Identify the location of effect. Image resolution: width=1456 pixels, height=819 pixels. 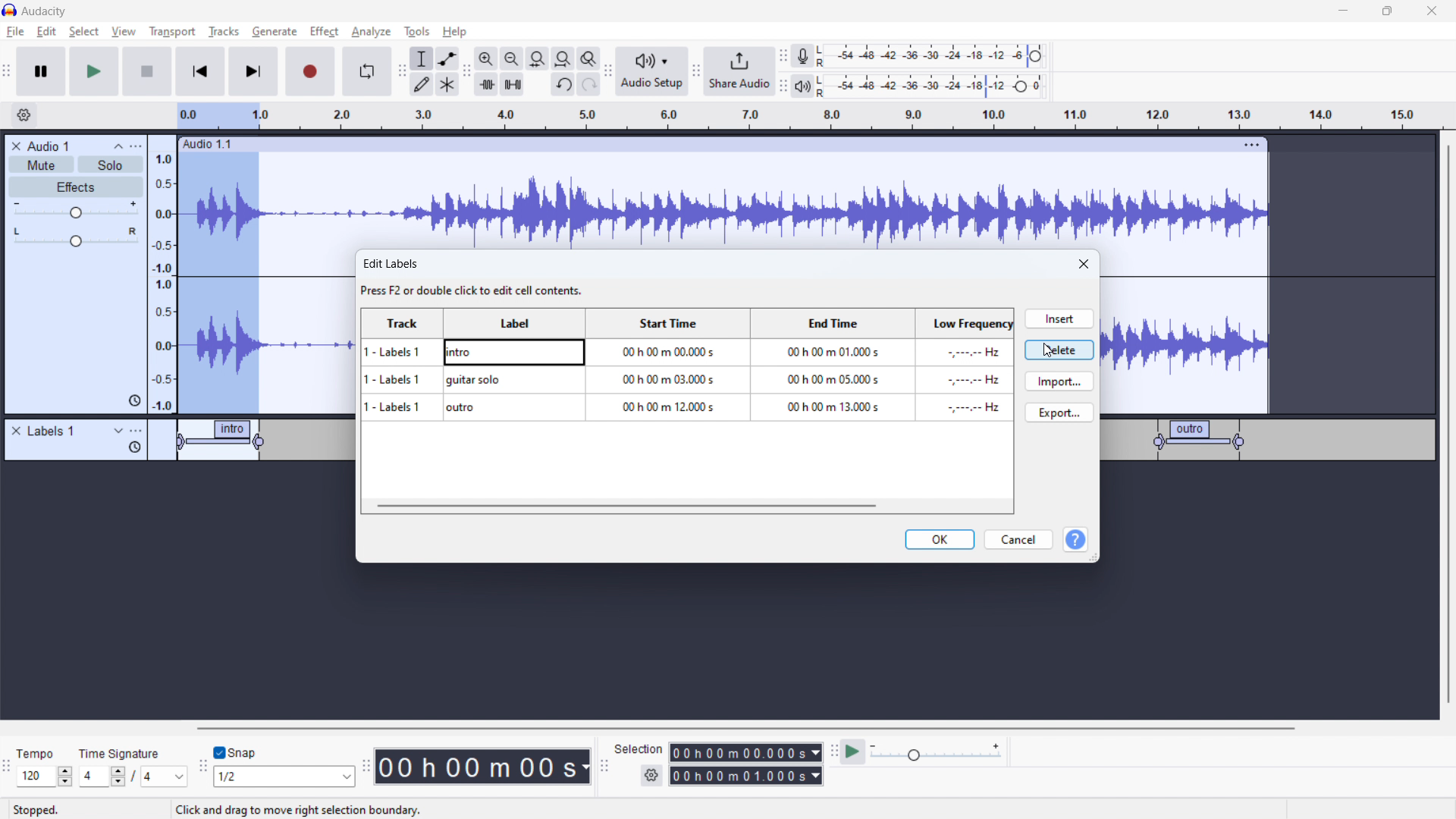
(325, 32).